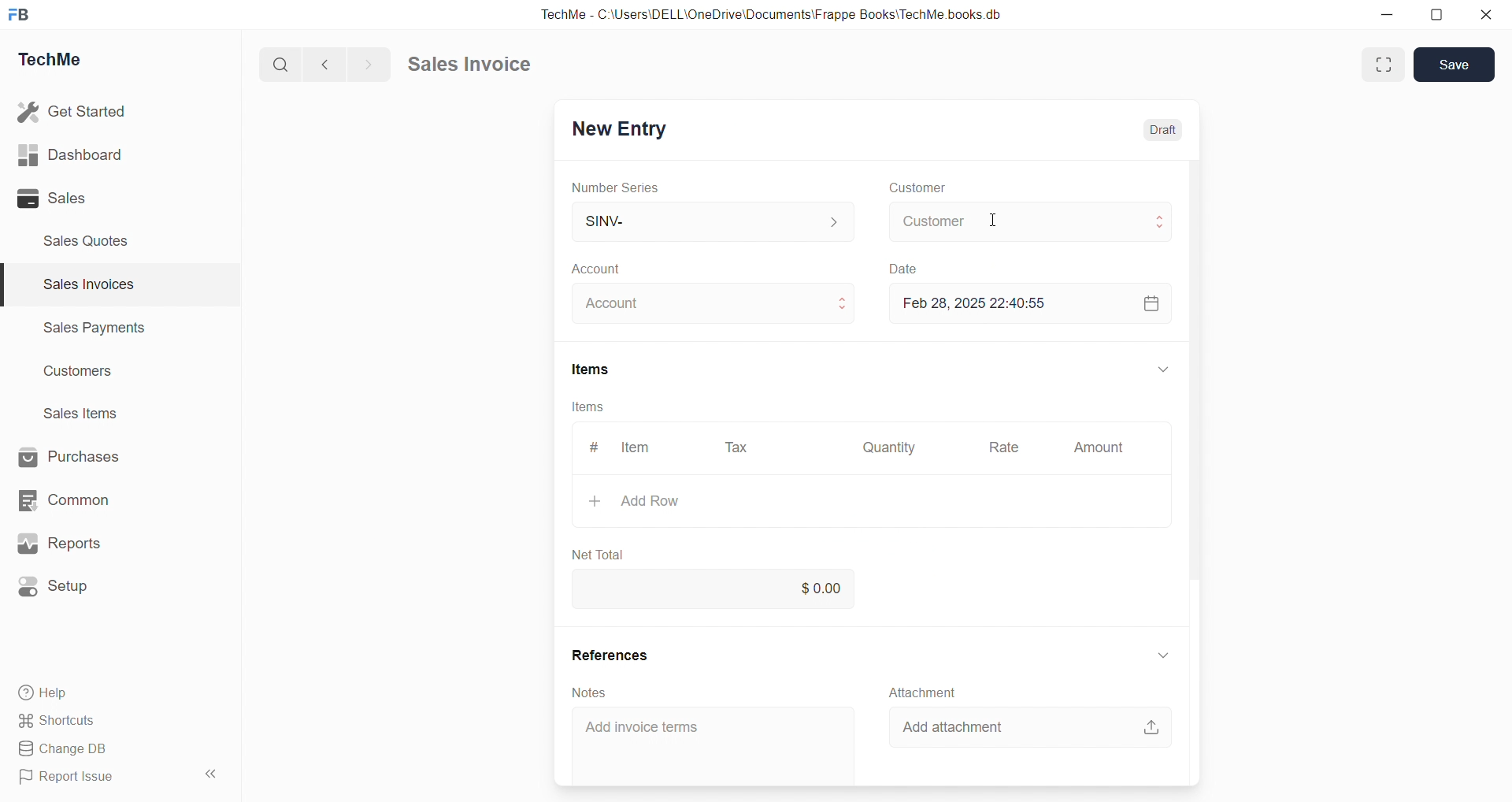 The width and height of the screenshot is (1512, 802). Describe the element at coordinates (635, 500) in the screenshot. I see `Add Row` at that location.